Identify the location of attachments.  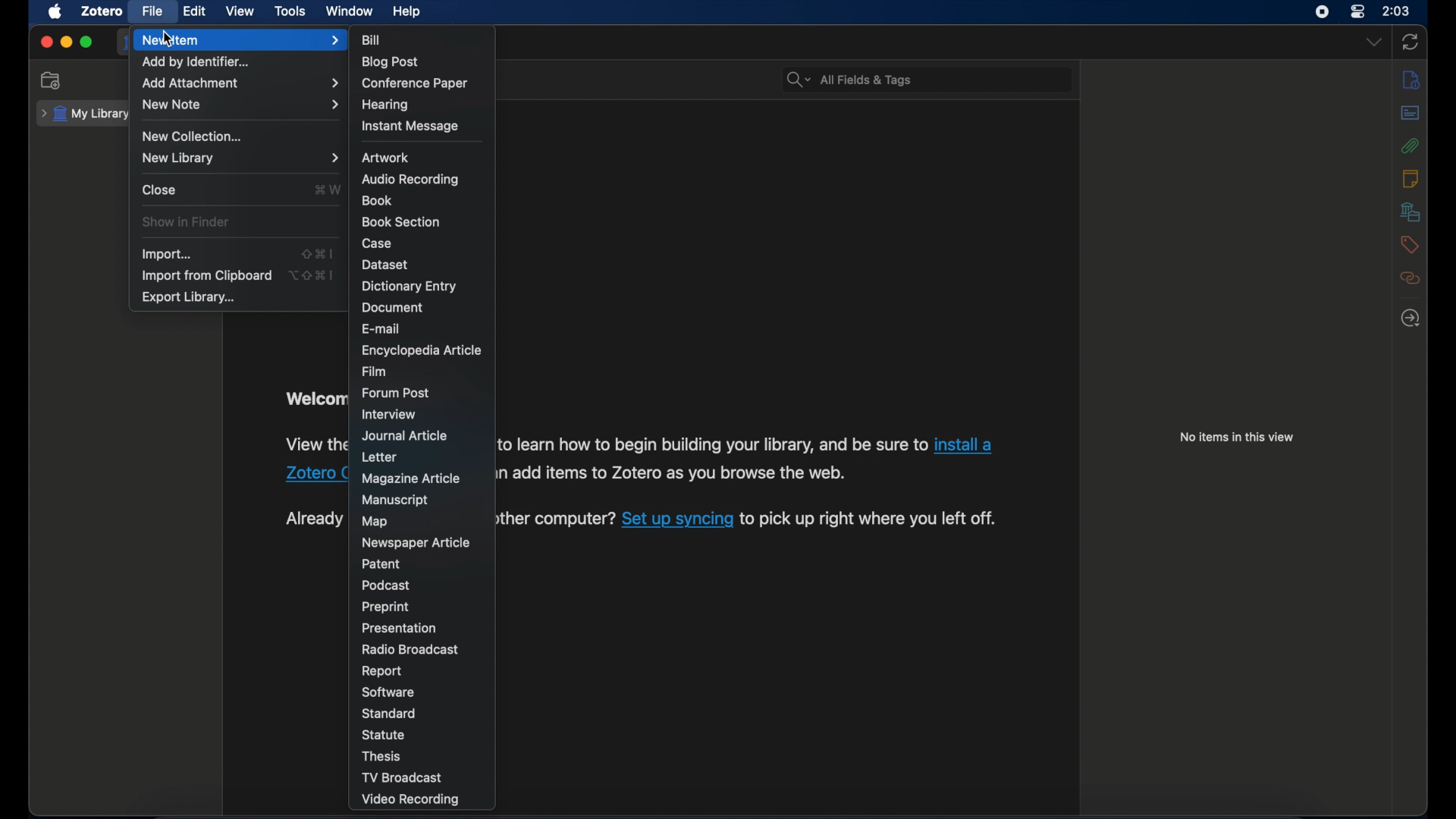
(1411, 146).